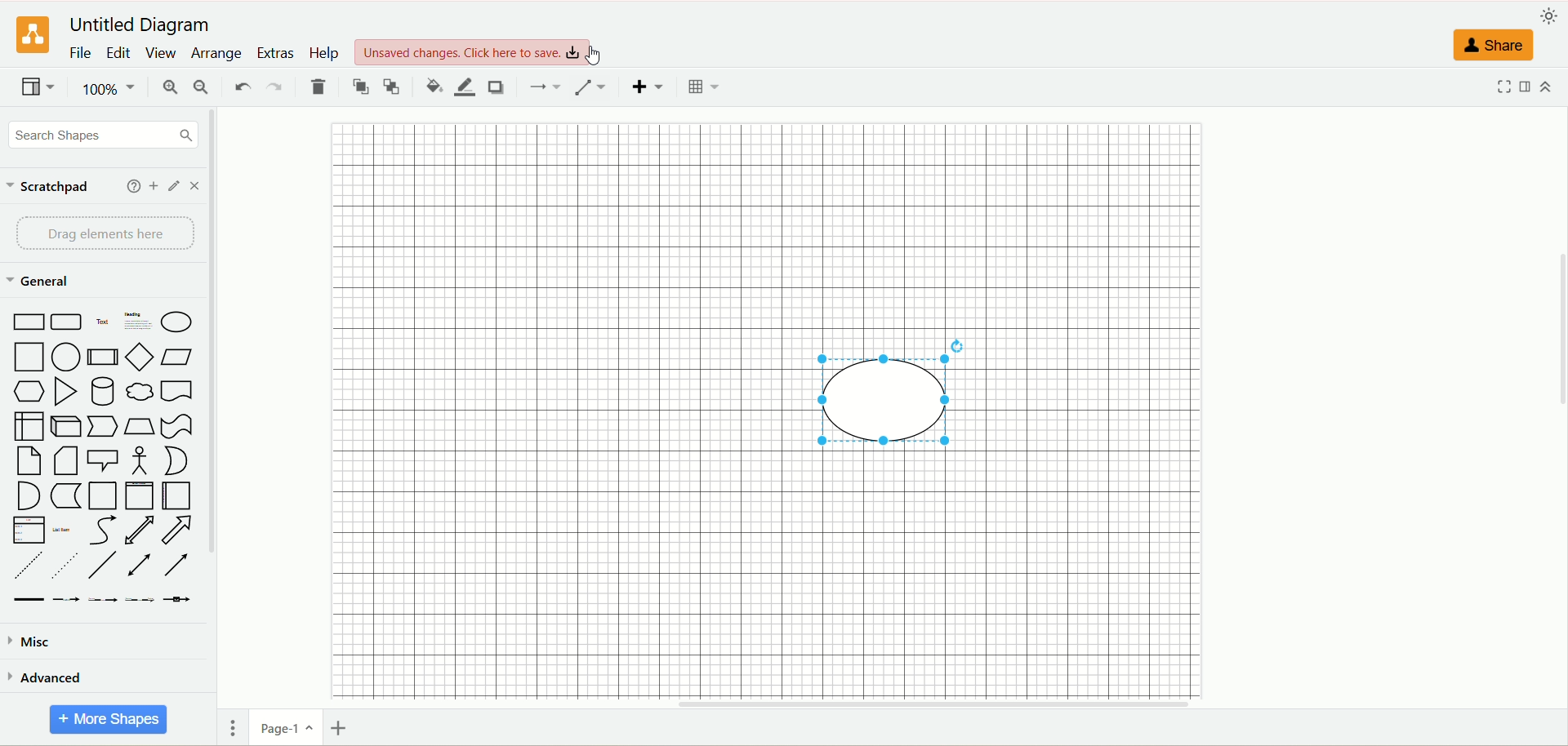 The height and width of the screenshot is (746, 1568). I want to click on line color, so click(465, 87).